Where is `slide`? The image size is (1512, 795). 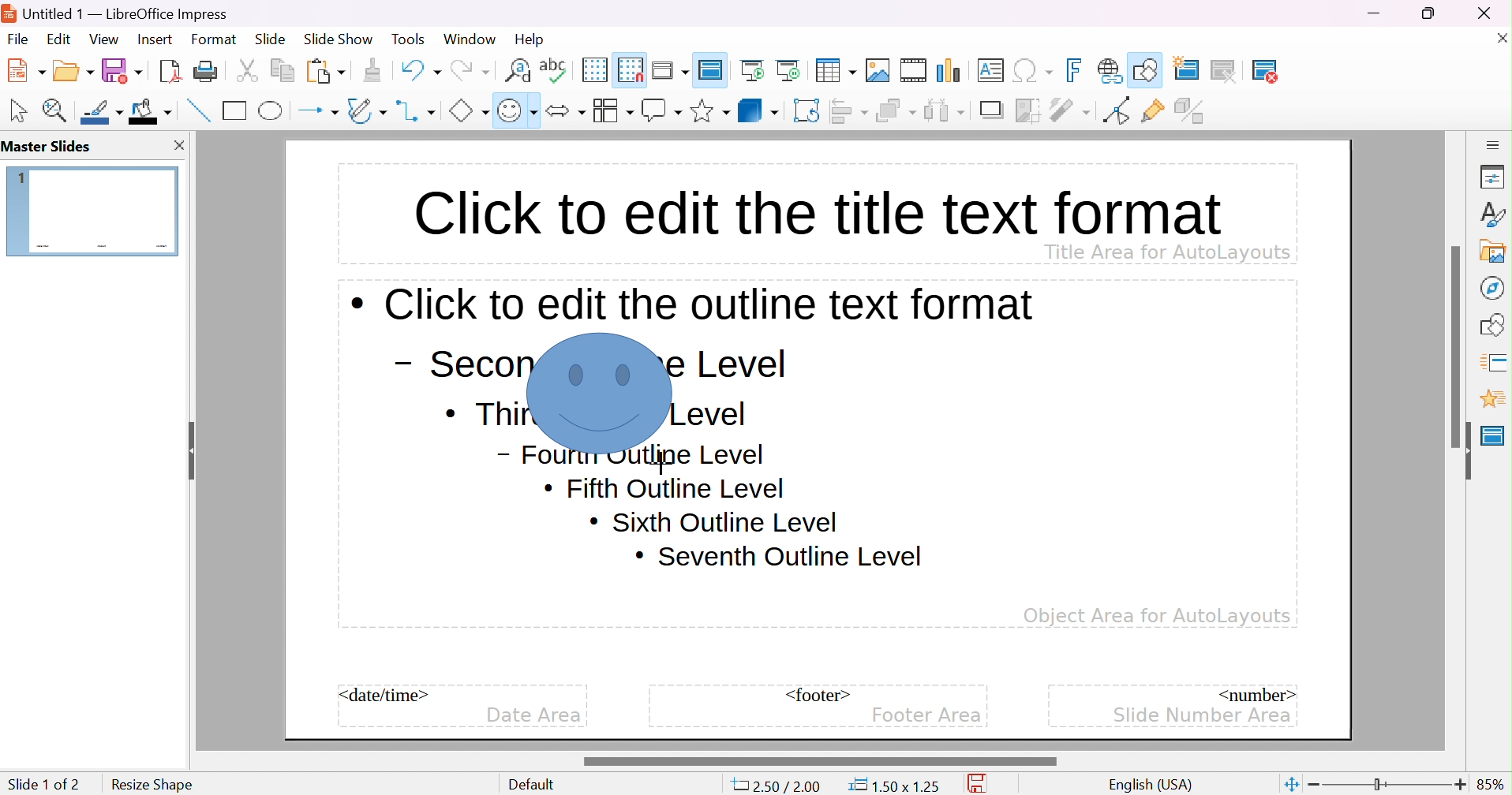 slide is located at coordinates (271, 39).